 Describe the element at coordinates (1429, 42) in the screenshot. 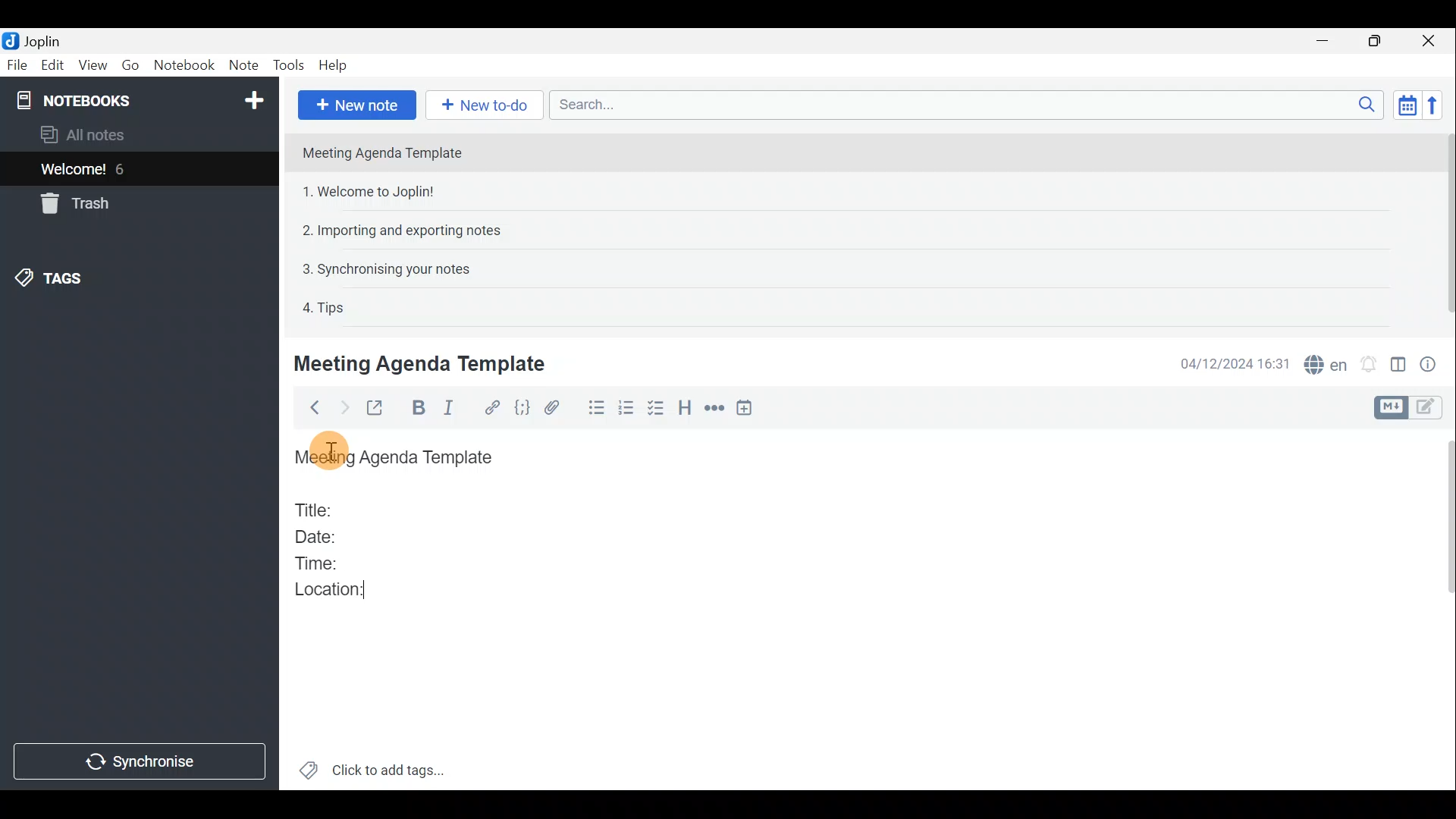

I see `Close` at that location.